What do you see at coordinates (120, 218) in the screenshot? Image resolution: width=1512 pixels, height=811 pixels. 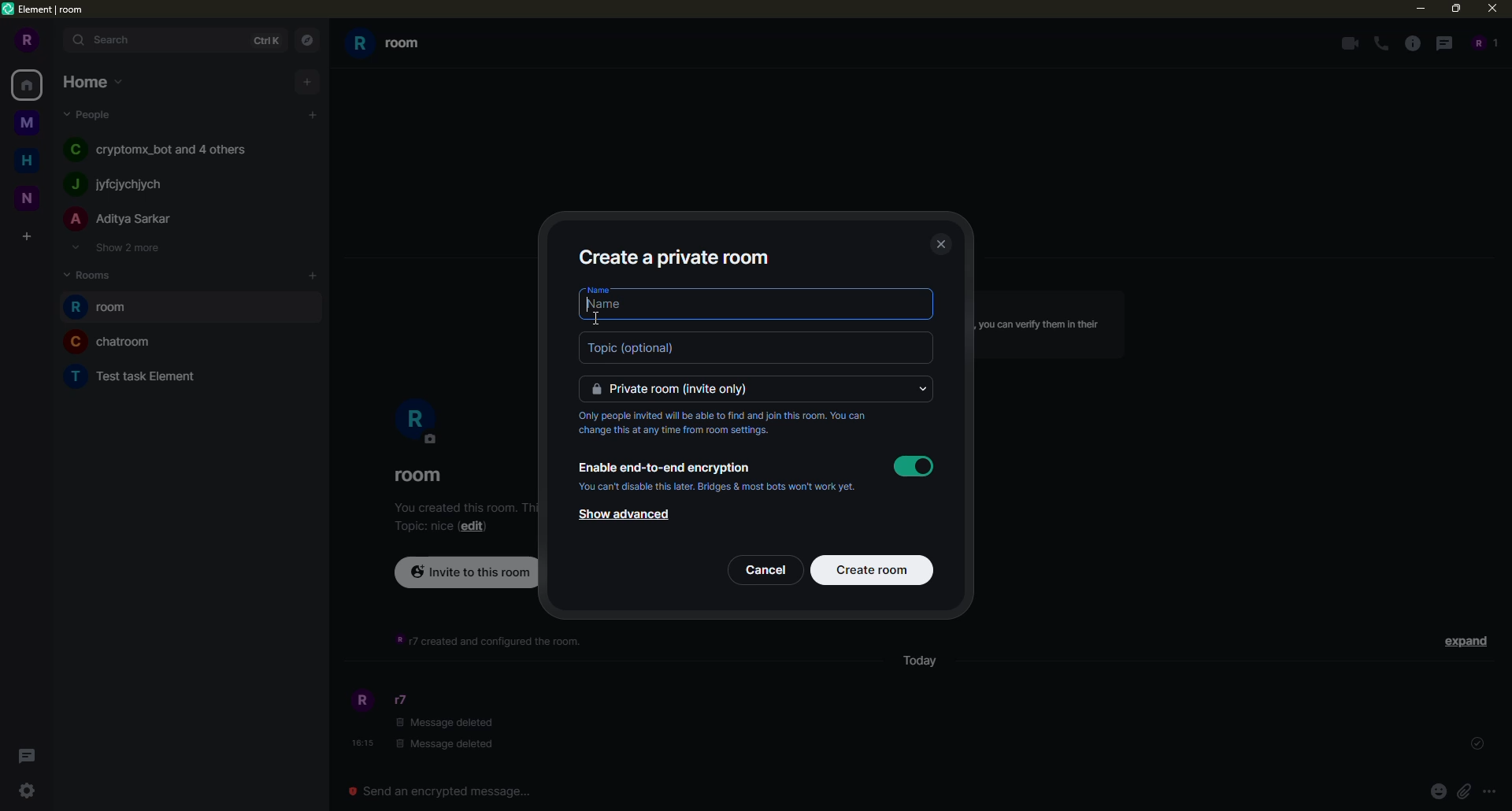 I see `people` at bounding box center [120, 218].